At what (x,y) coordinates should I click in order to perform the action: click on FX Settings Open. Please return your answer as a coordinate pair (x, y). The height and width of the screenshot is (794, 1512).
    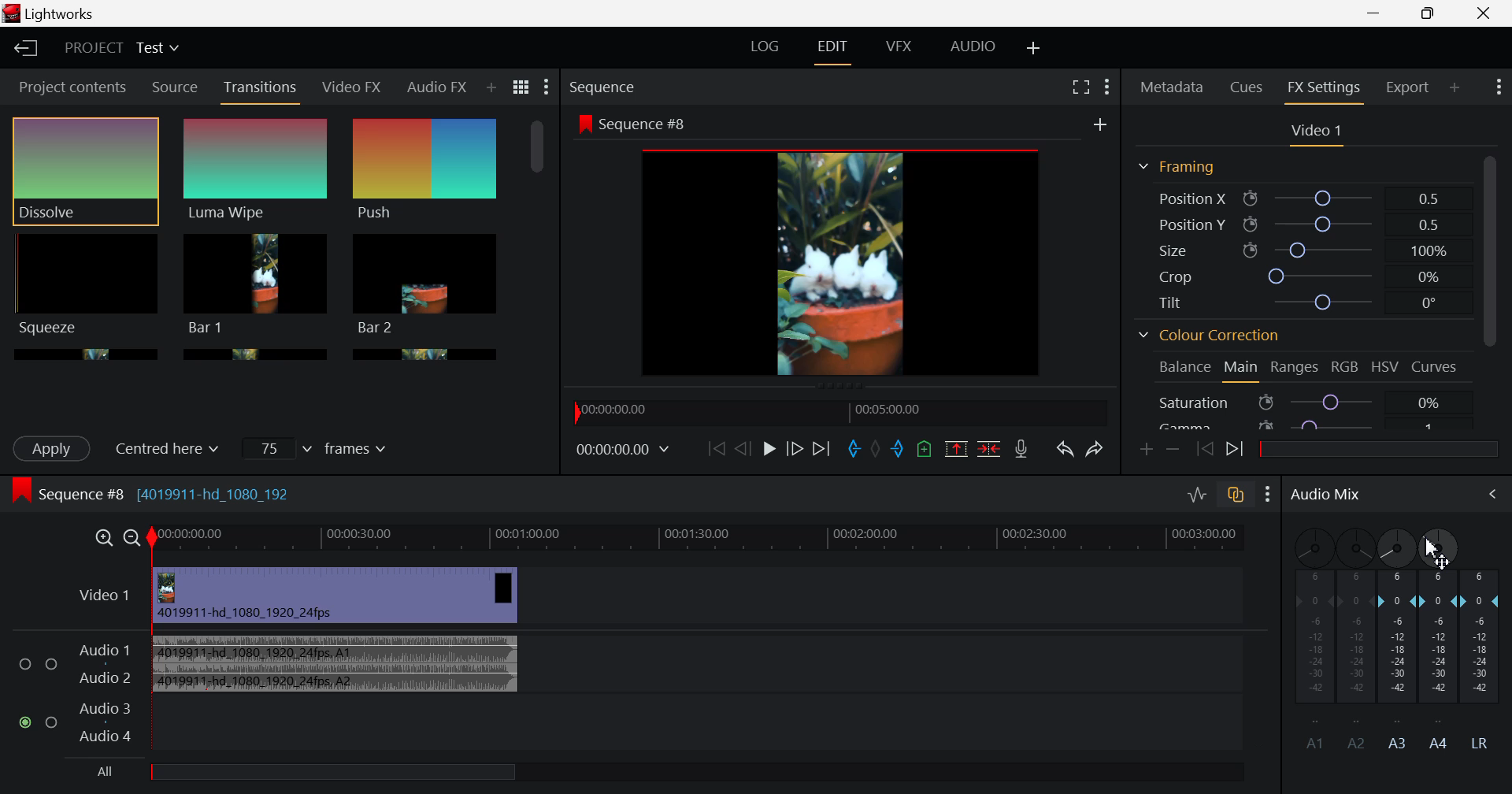
    Looking at the image, I should click on (1326, 90).